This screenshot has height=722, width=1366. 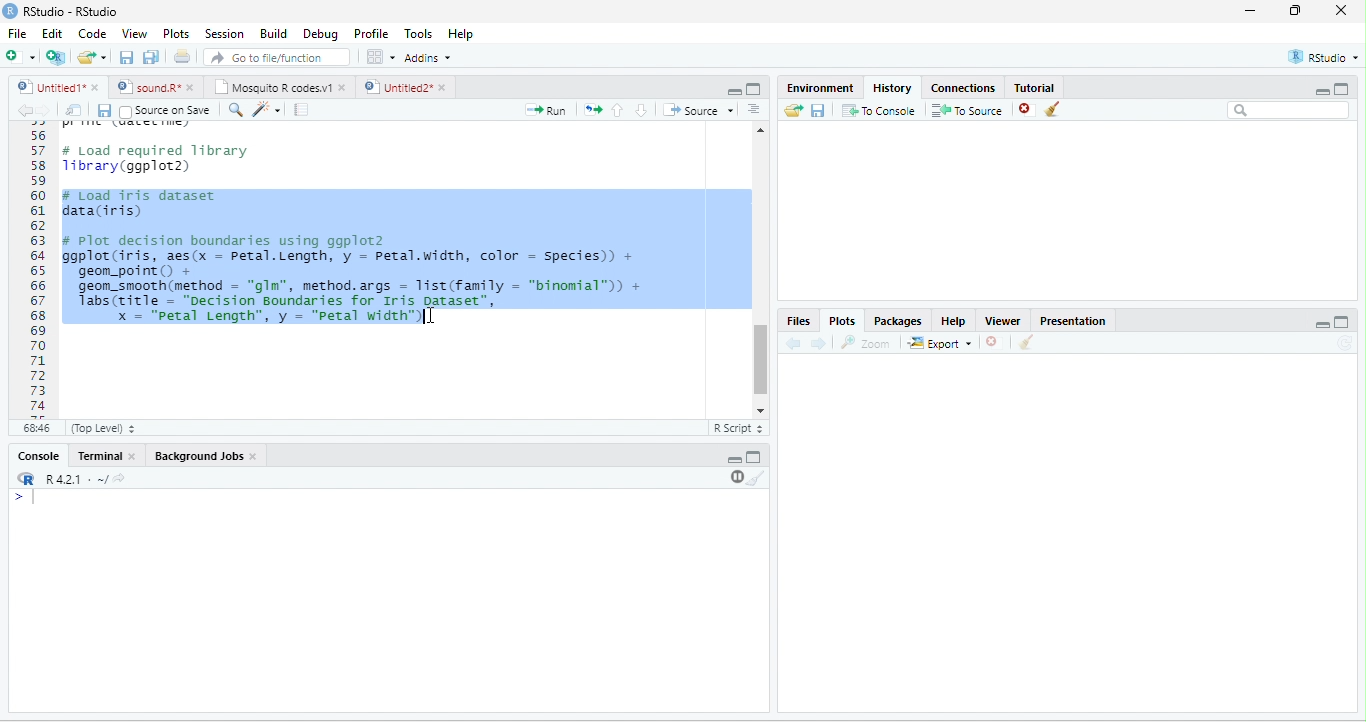 What do you see at coordinates (641, 110) in the screenshot?
I see `down` at bounding box center [641, 110].